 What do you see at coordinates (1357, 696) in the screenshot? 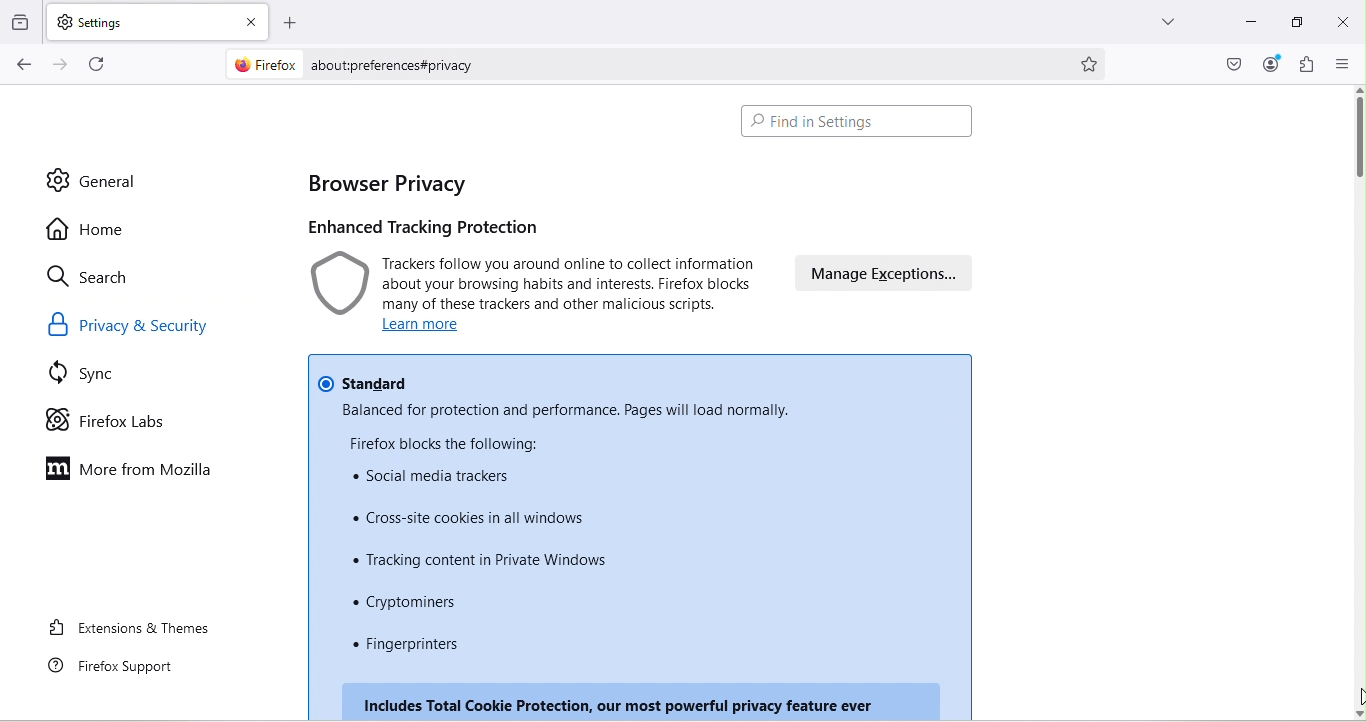
I see `Cursor` at bounding box center [1357, 696].